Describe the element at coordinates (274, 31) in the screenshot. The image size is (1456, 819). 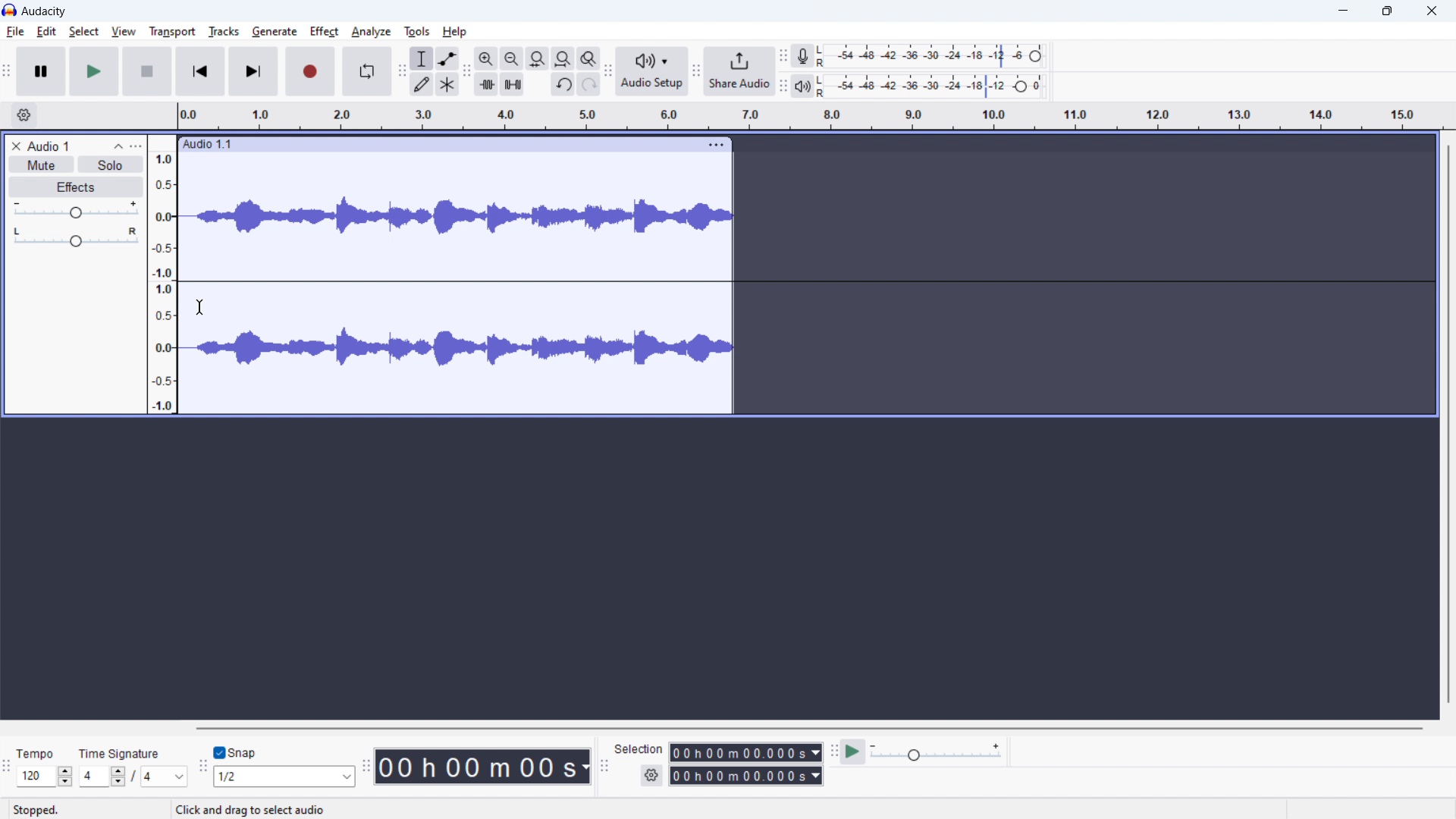
I see `generate` at that location.